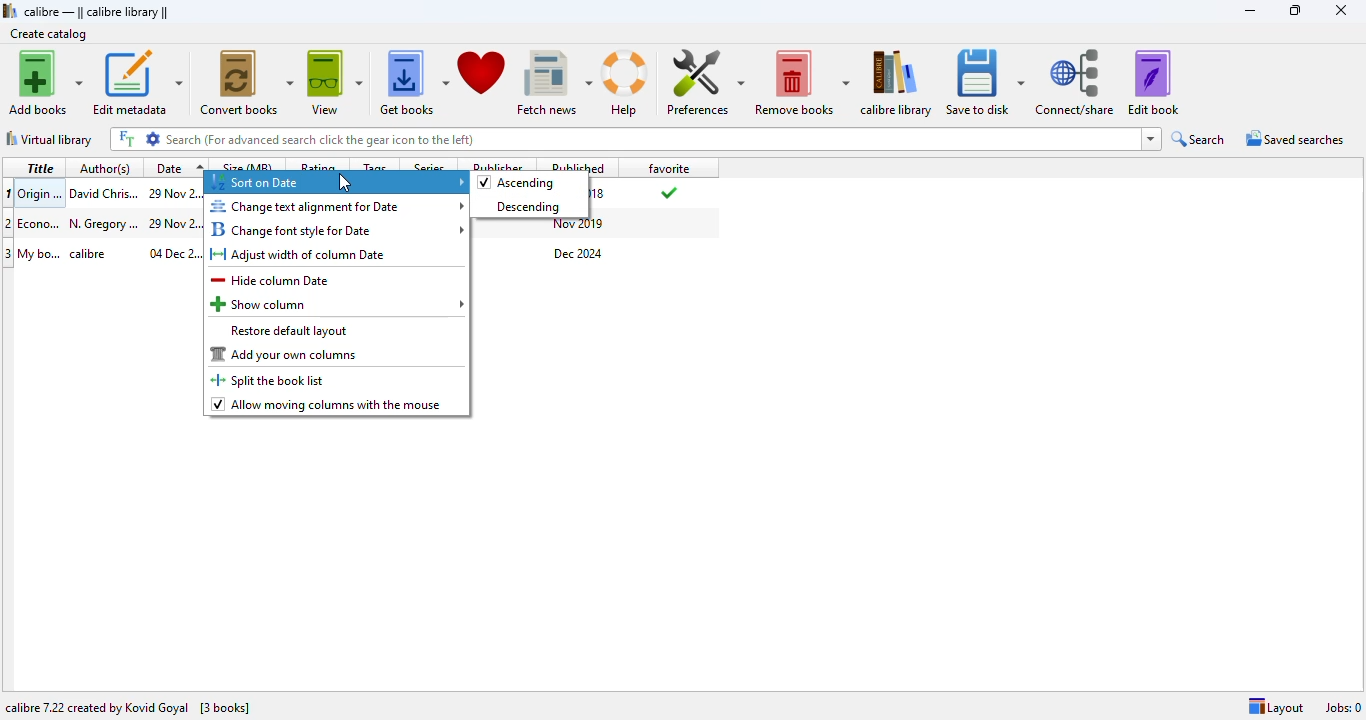 The height and width of the screenshot is (720, 1366). What do you see at coordinates (338, 206) in the screenshot?
I see `change text alignment for date` at bounding box center [338, 206].